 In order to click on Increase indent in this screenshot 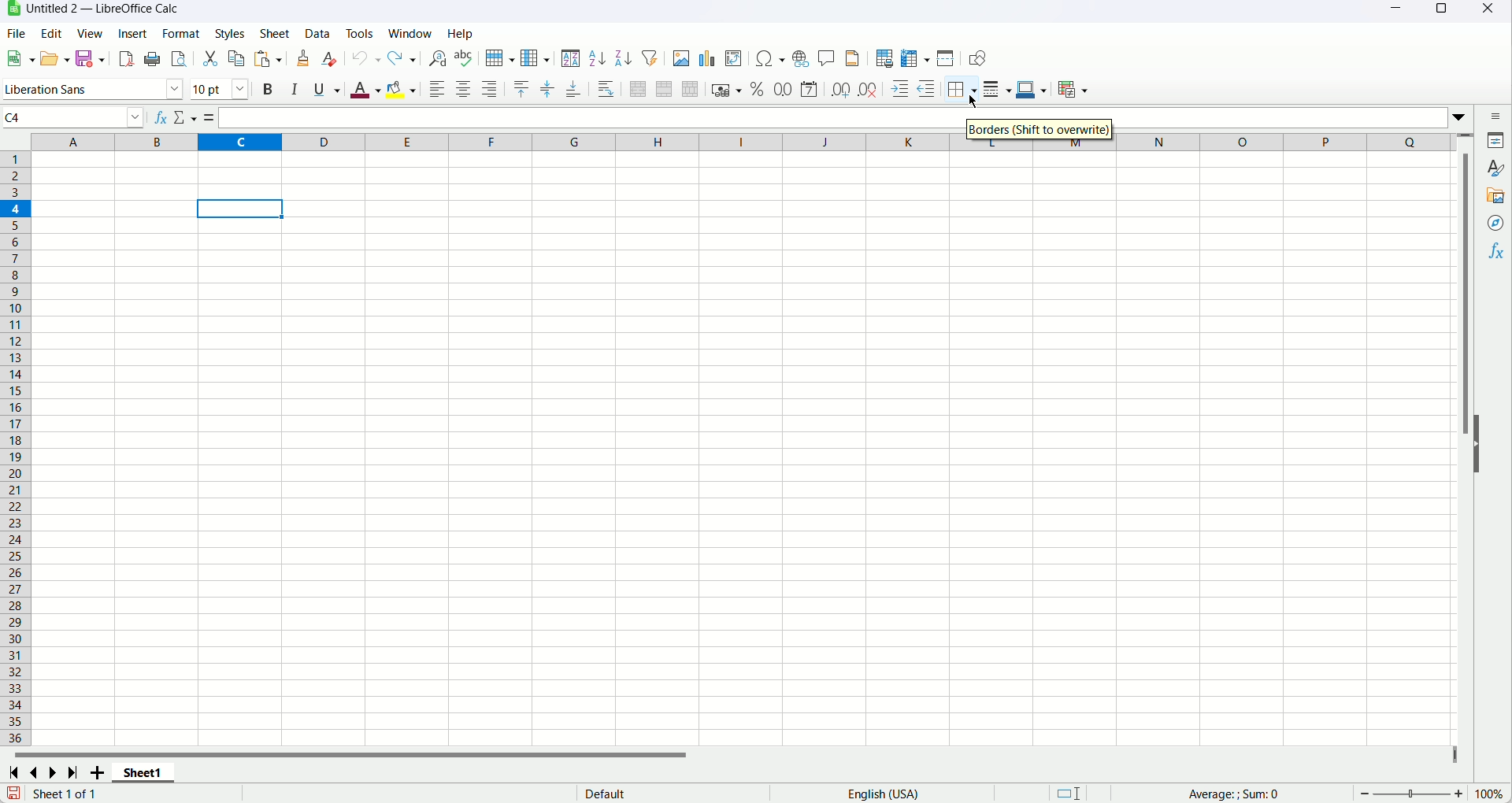, I will do `click(899, 90)`.